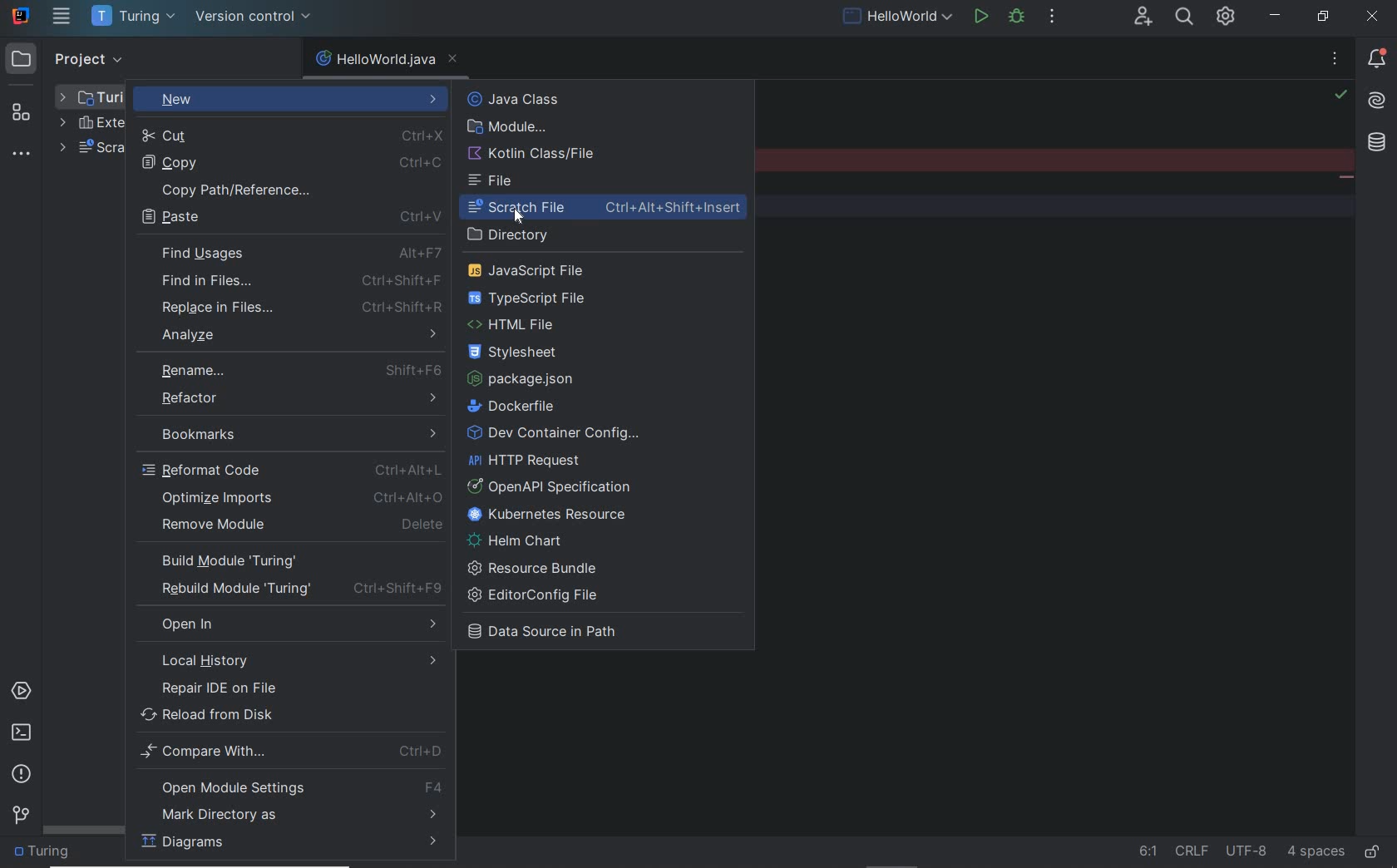 The image size is (1397, 868). I want to click on remove module, so click(301, 525).